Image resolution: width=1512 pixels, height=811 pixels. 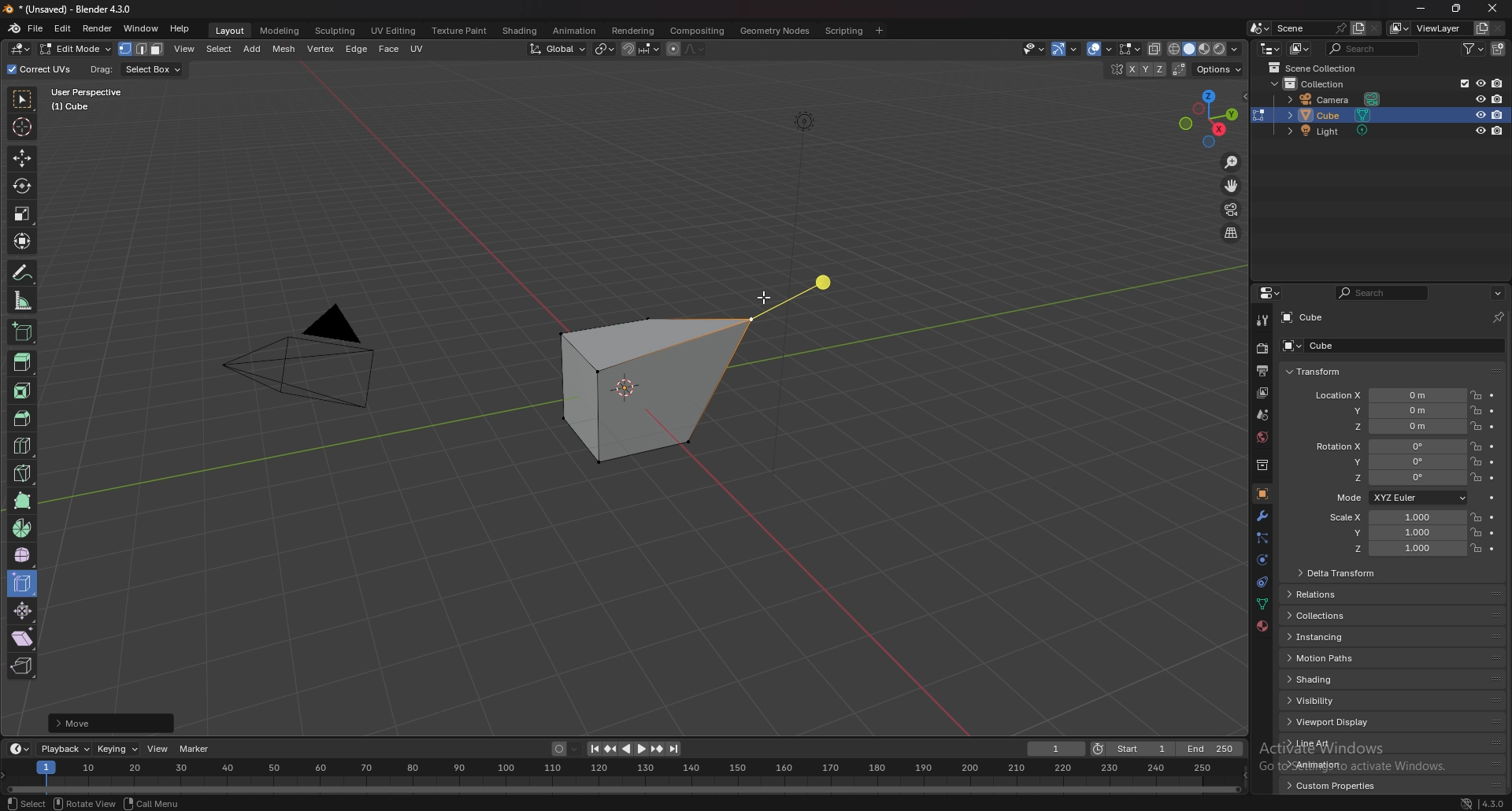 I want to click on disable in render, so click(x=1499, y=114).